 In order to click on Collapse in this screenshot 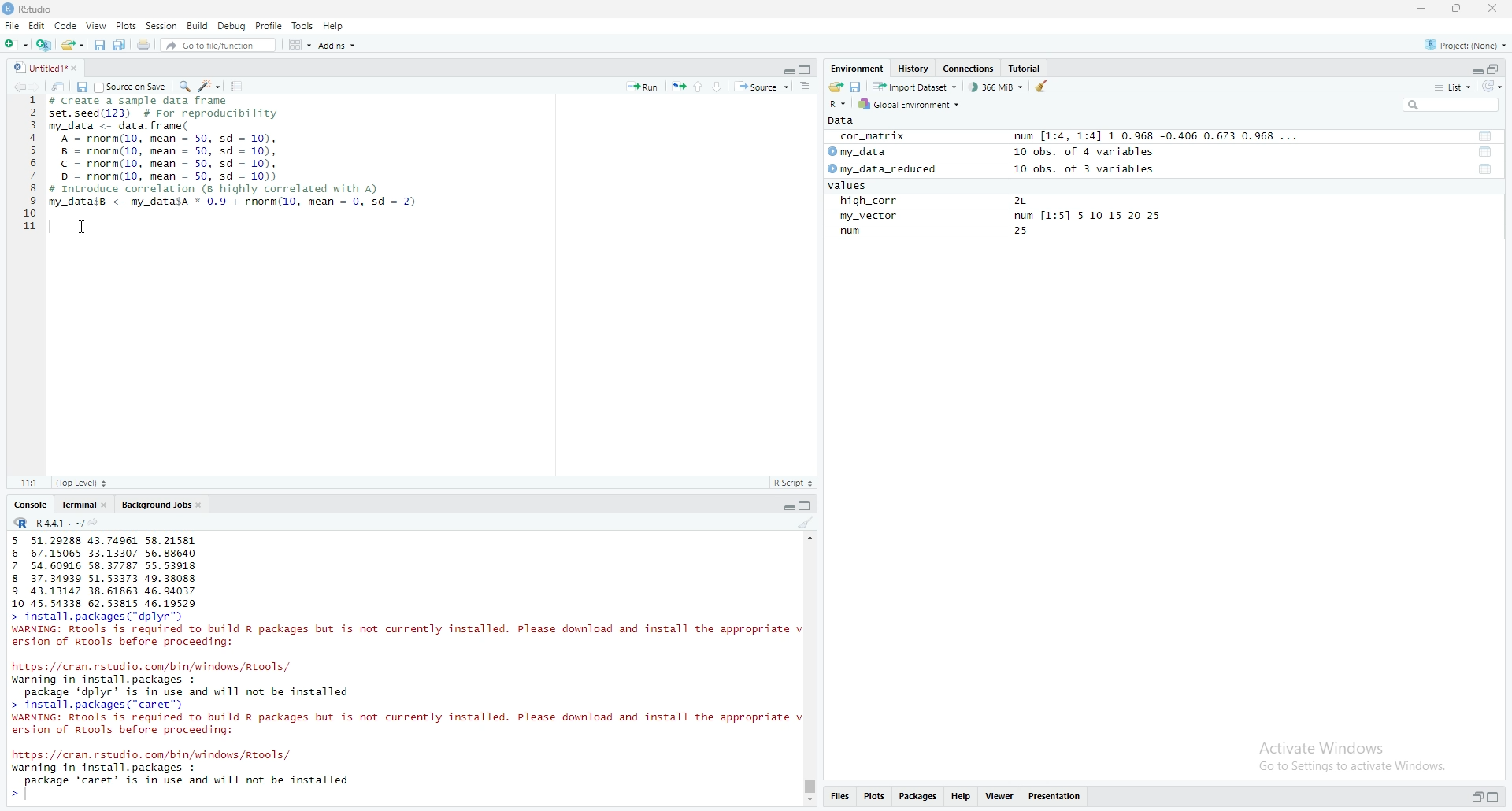, I will do `click(787, 71)`.